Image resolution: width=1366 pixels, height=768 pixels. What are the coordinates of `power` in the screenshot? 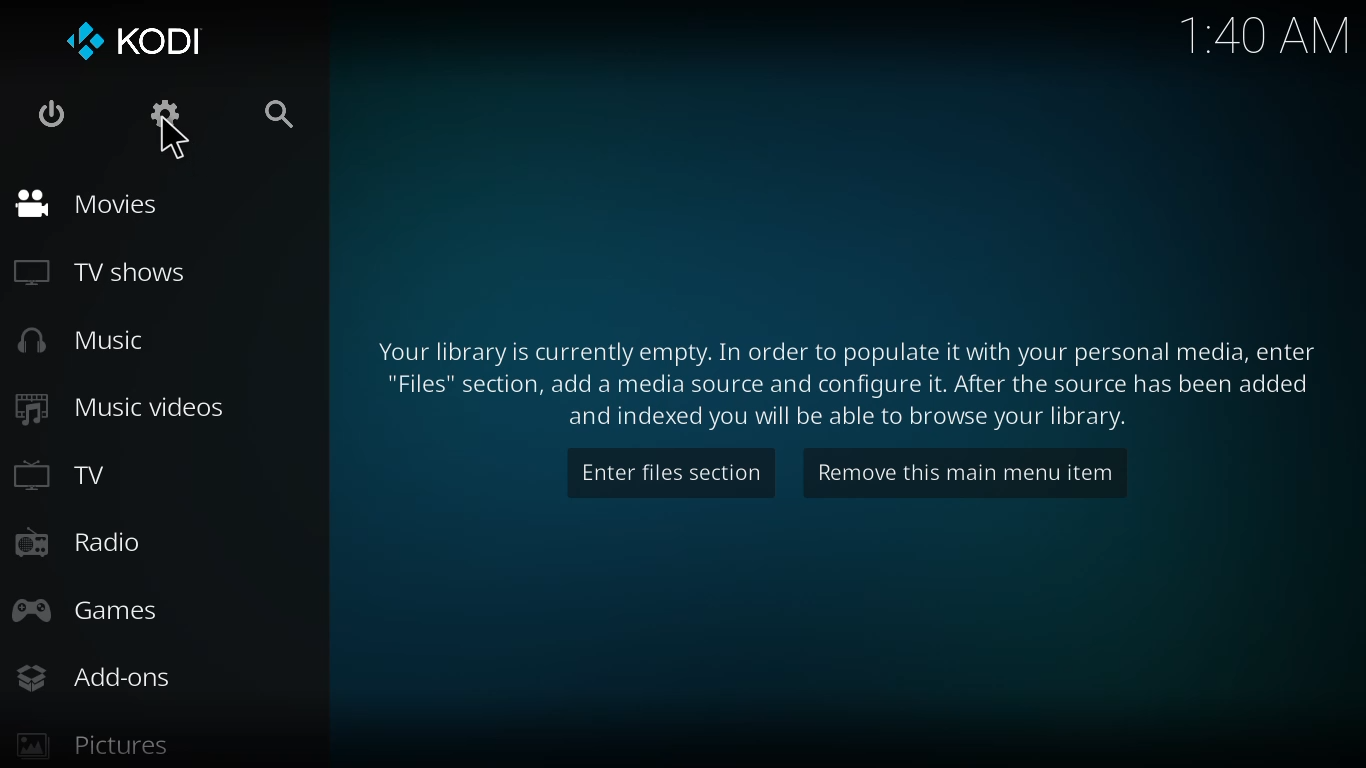 It's located at (55, 117).